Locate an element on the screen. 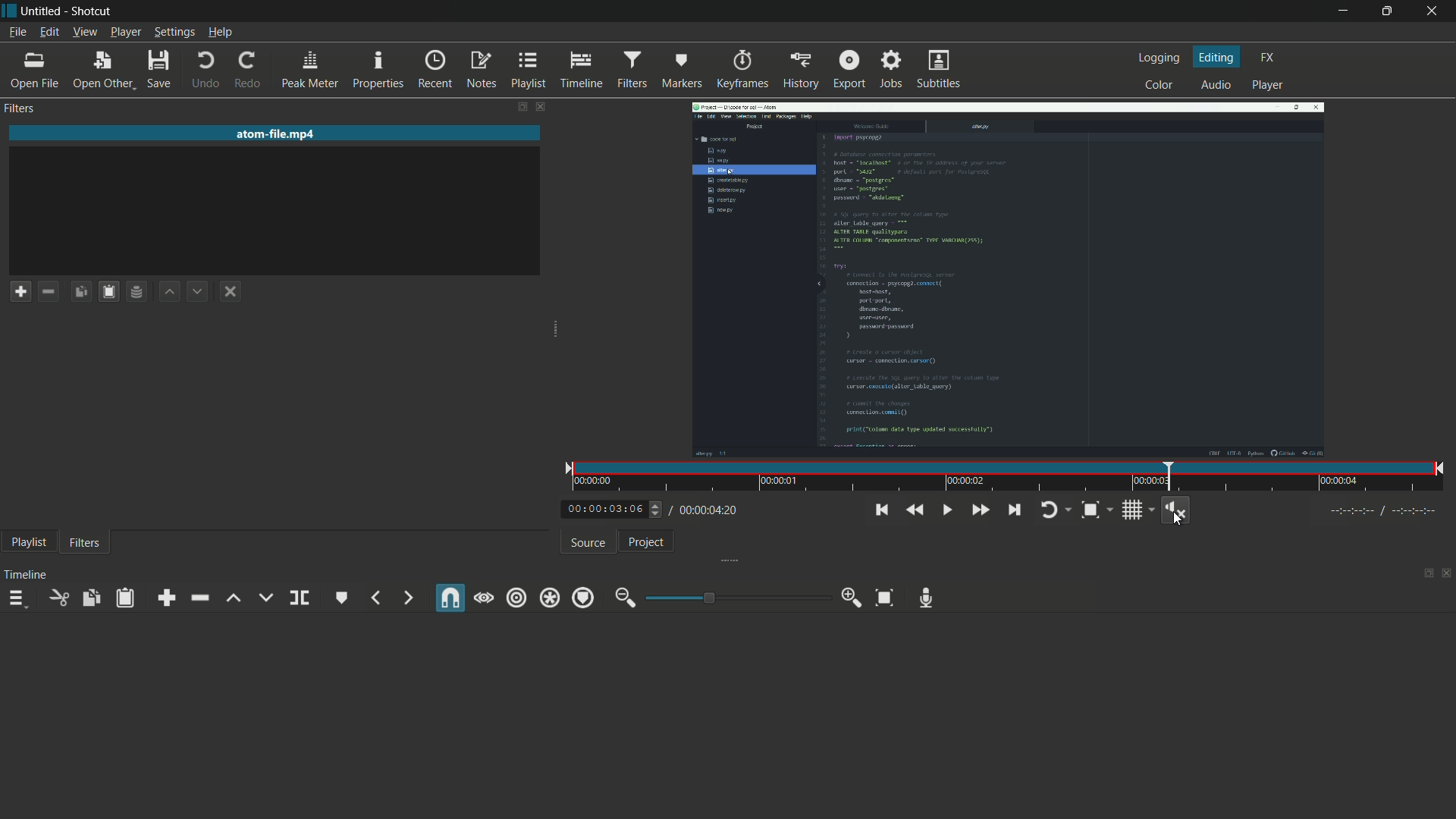 This screenshot has height=819, width=1456. markers is located at coordinates (681, 71).